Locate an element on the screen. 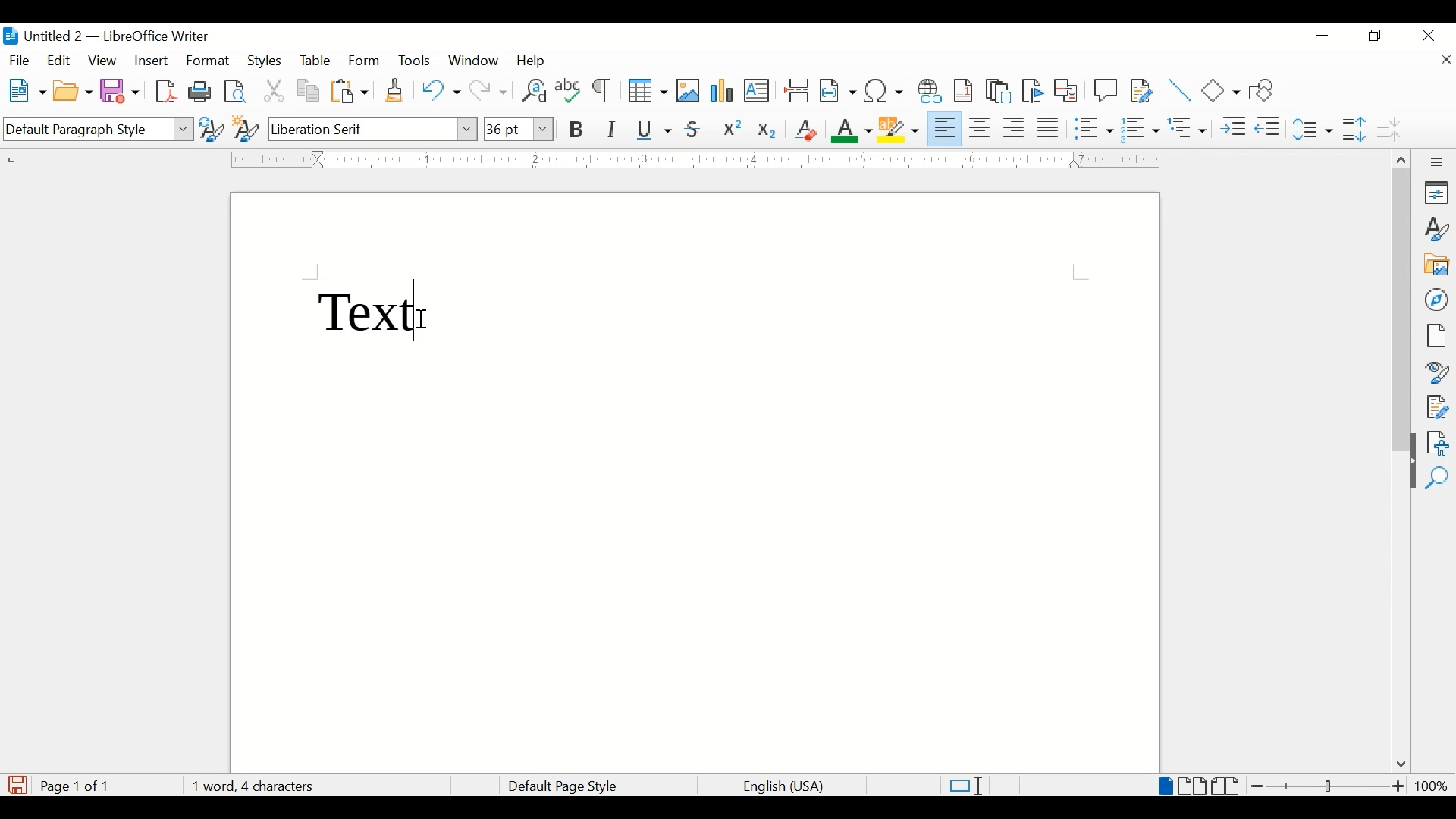 This screenshot has height=819, width=1456. decrease paragraph spacing is located at coordinates (1388, 128).